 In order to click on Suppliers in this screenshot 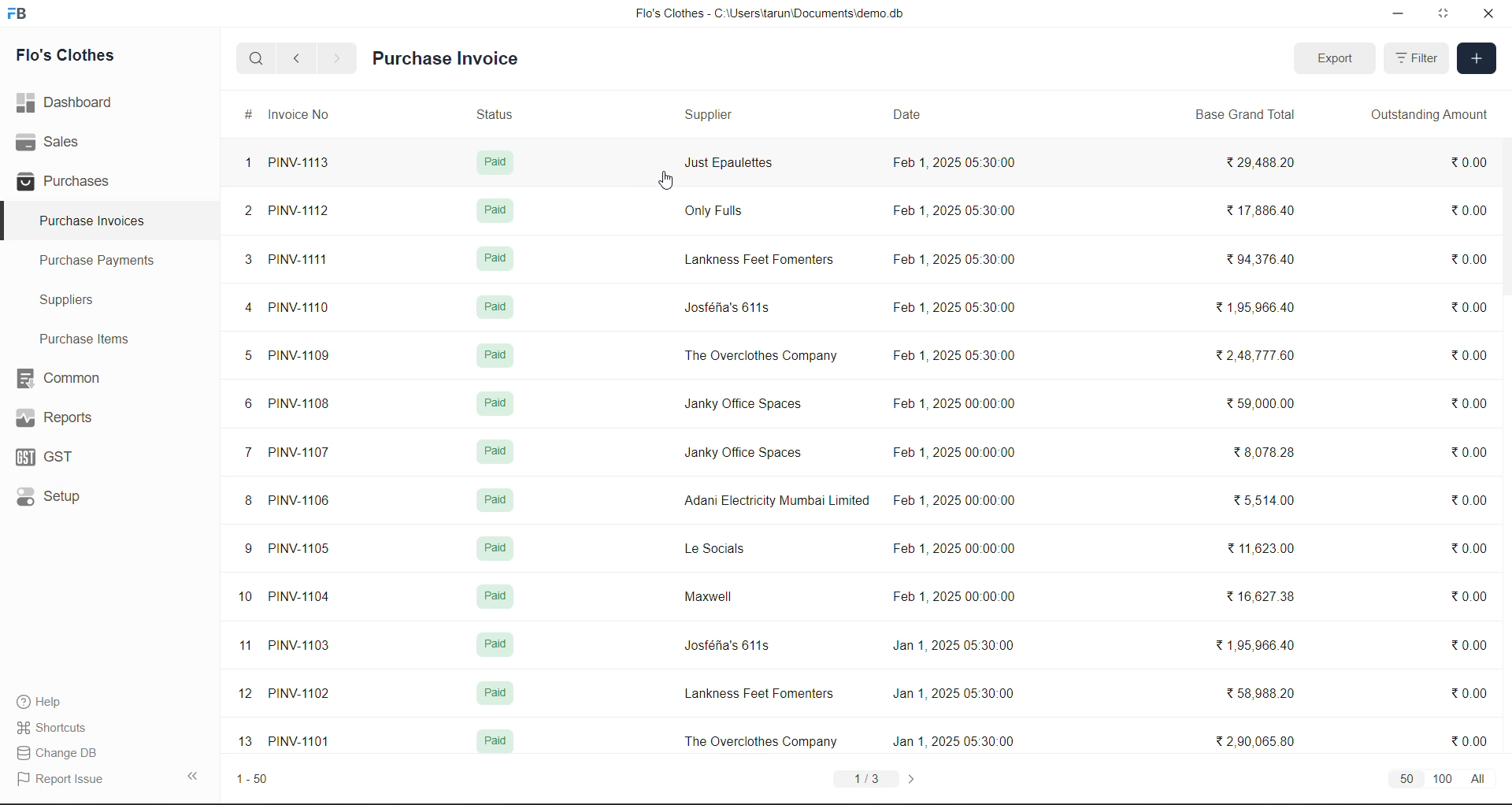, I will do `click(76, 302)`.